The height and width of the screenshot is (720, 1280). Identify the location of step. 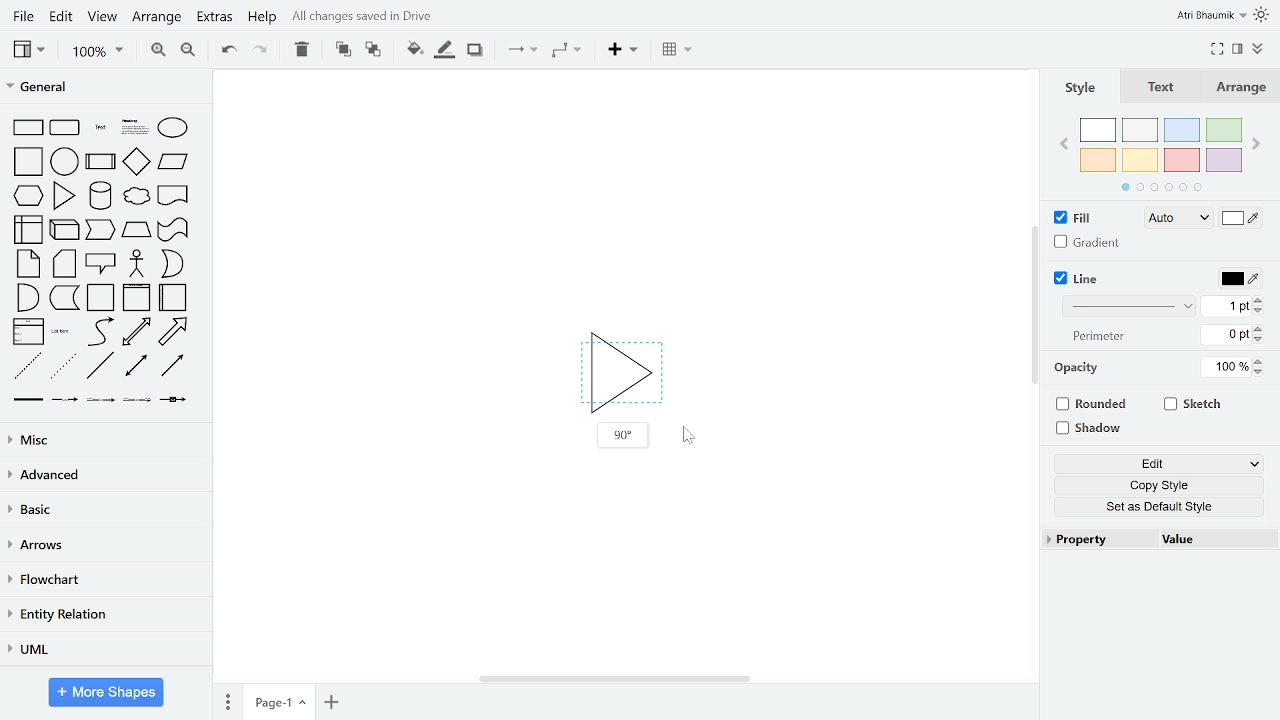
(102, 231).